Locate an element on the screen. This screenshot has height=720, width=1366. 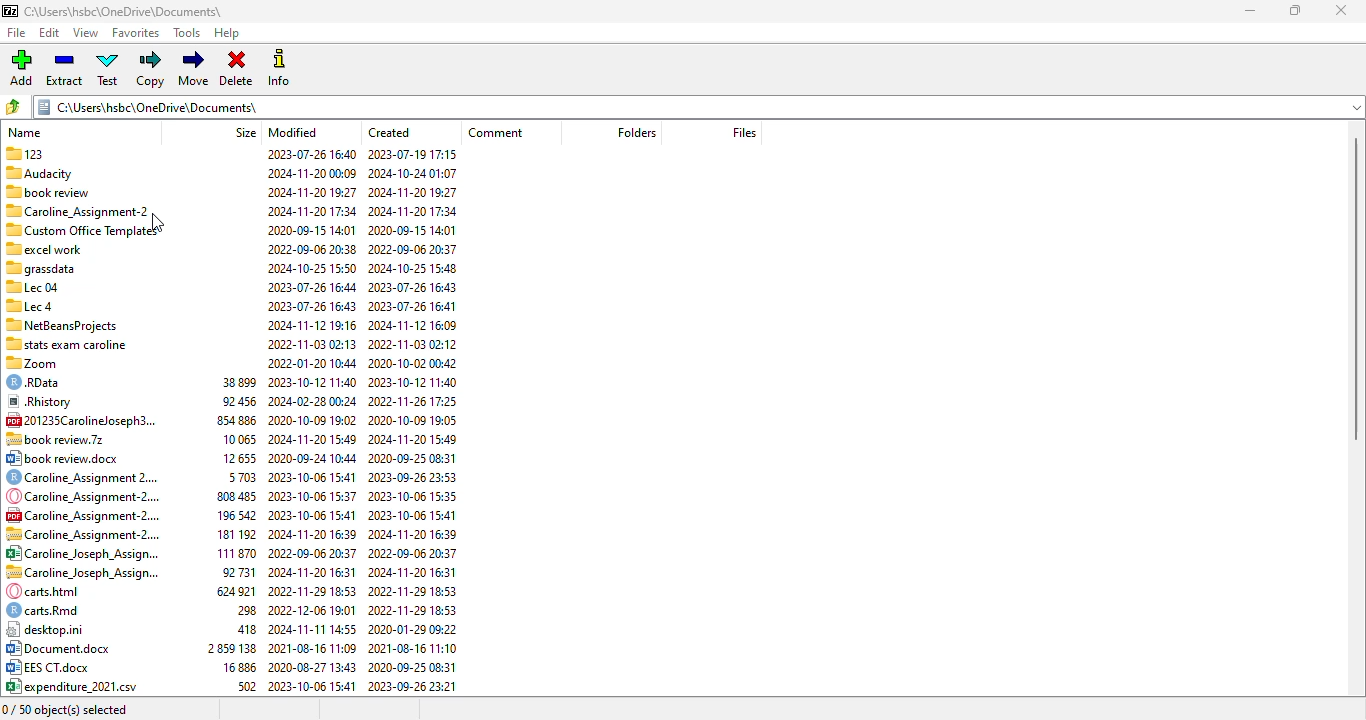
view is located at coordinates (87, 33).